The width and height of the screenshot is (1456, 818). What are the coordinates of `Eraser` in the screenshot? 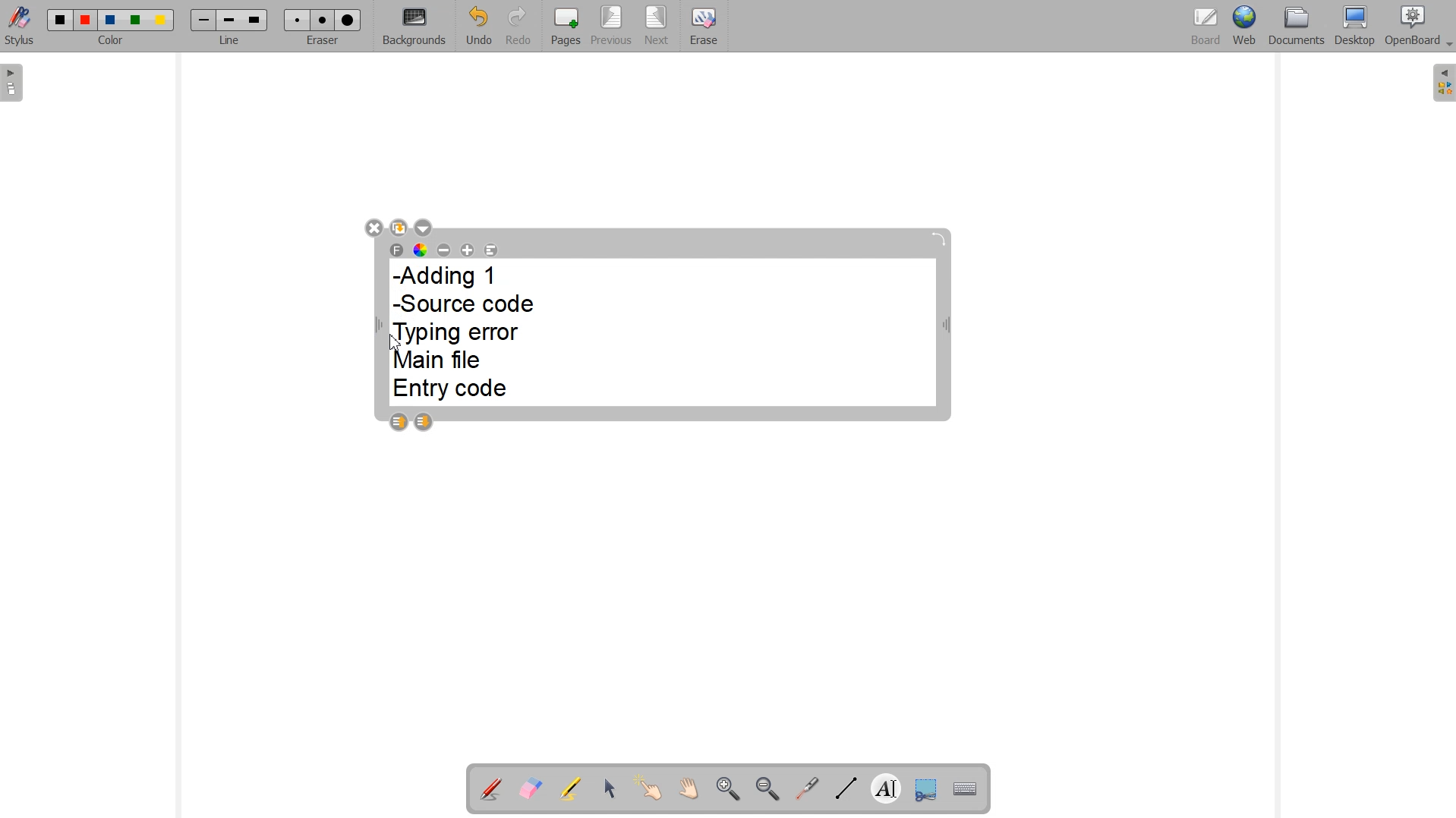 It's located at (321, 41).